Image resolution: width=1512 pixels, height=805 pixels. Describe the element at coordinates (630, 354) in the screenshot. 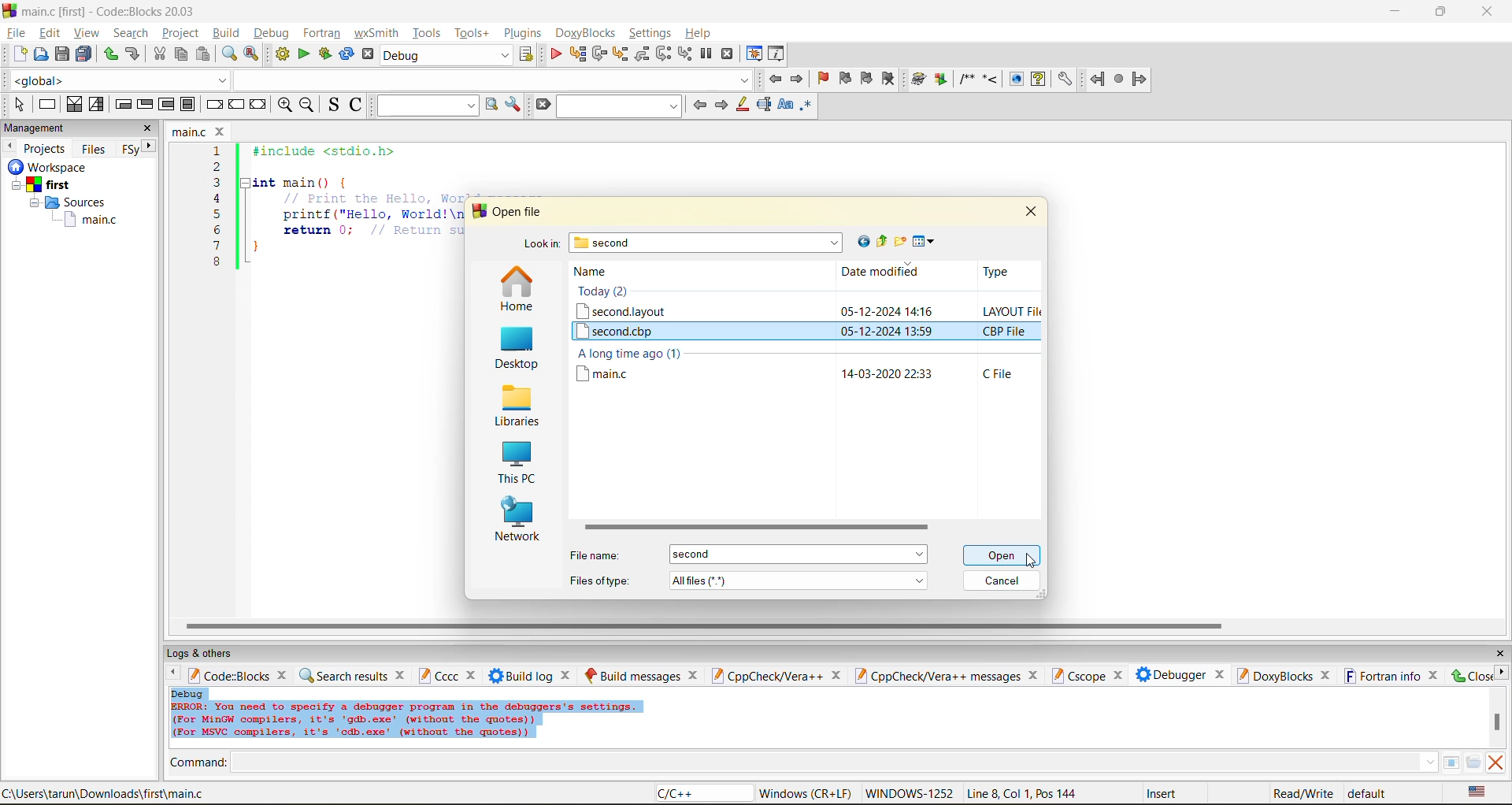

I see `A long time ago(1)` at that location.